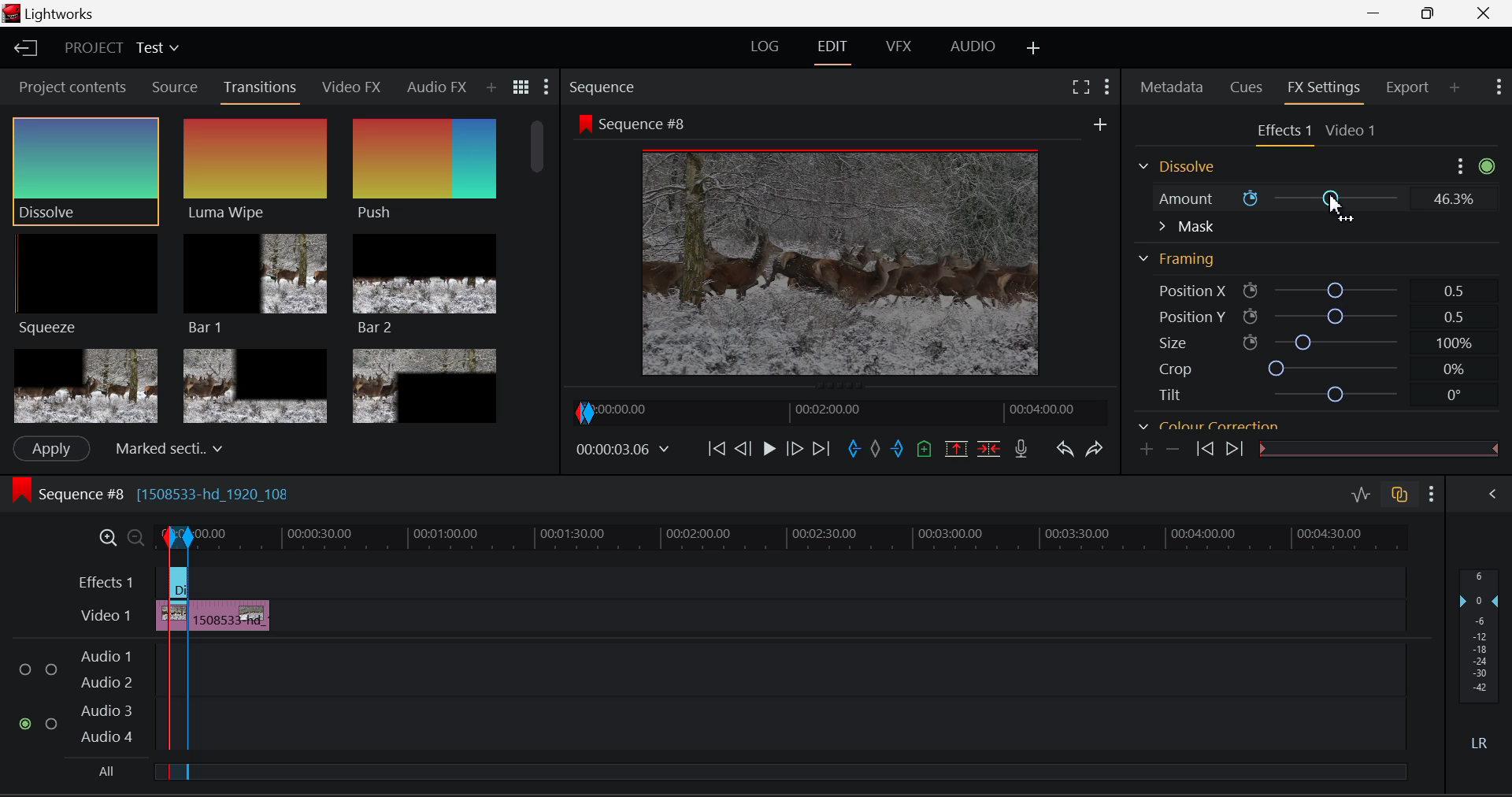  Describe the element at coordinates (1293, 425) in the screenshot. I see `Gamma` at that location.